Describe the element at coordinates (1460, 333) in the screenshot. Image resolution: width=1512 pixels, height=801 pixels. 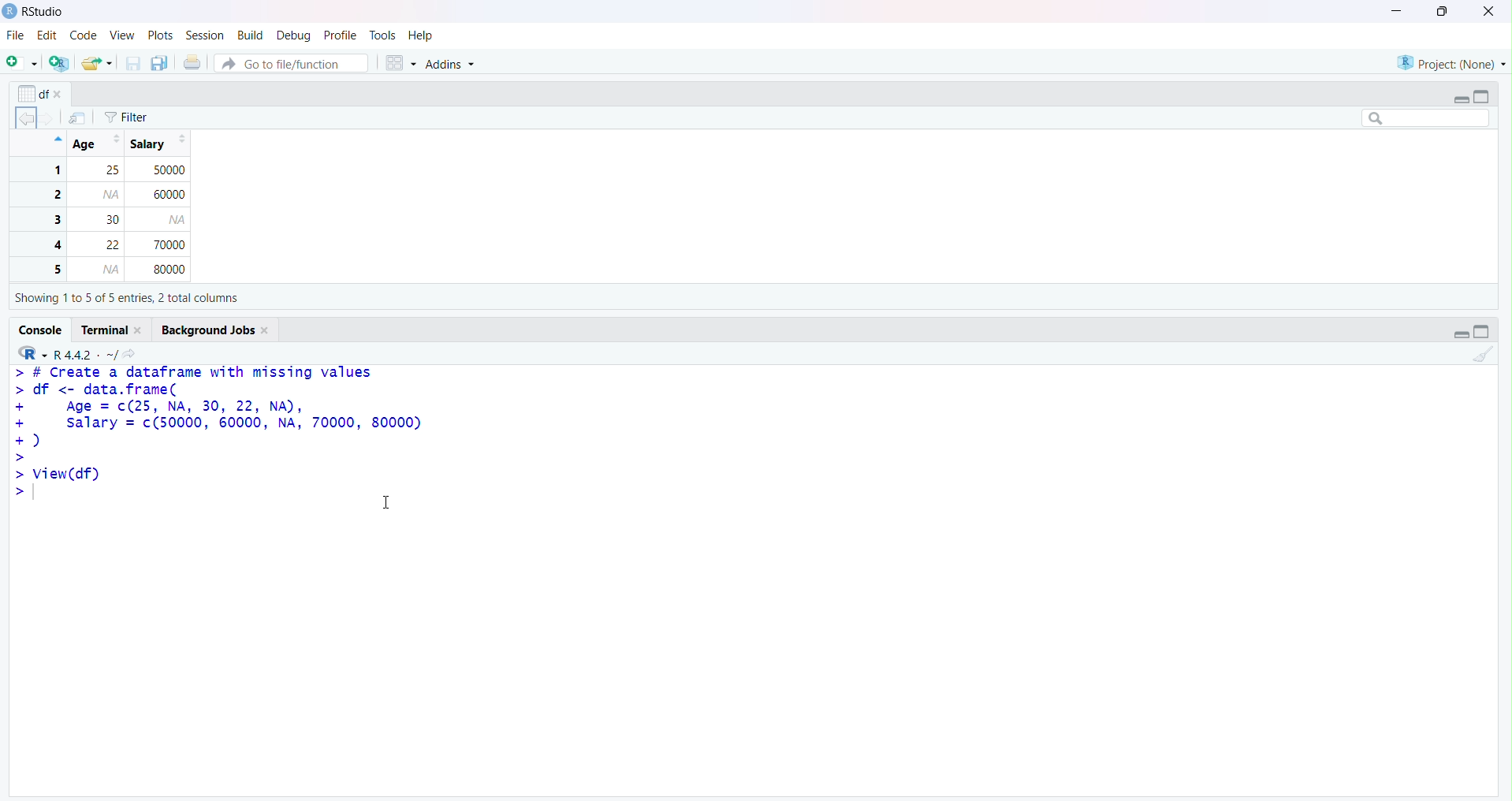
I see `Minimize` at that location.